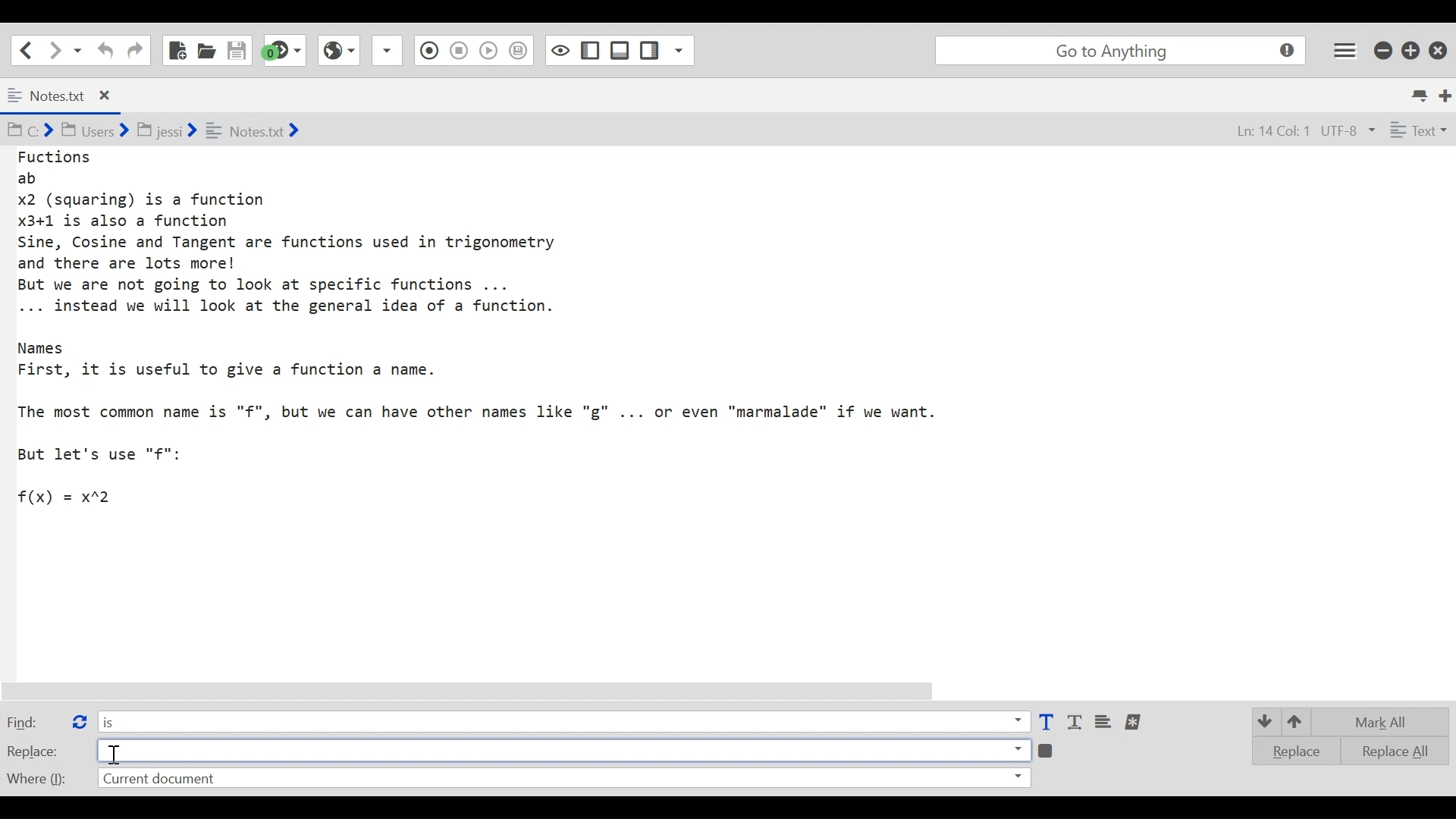  I want to click on Show/Hide Right pane, so click(559, 49).